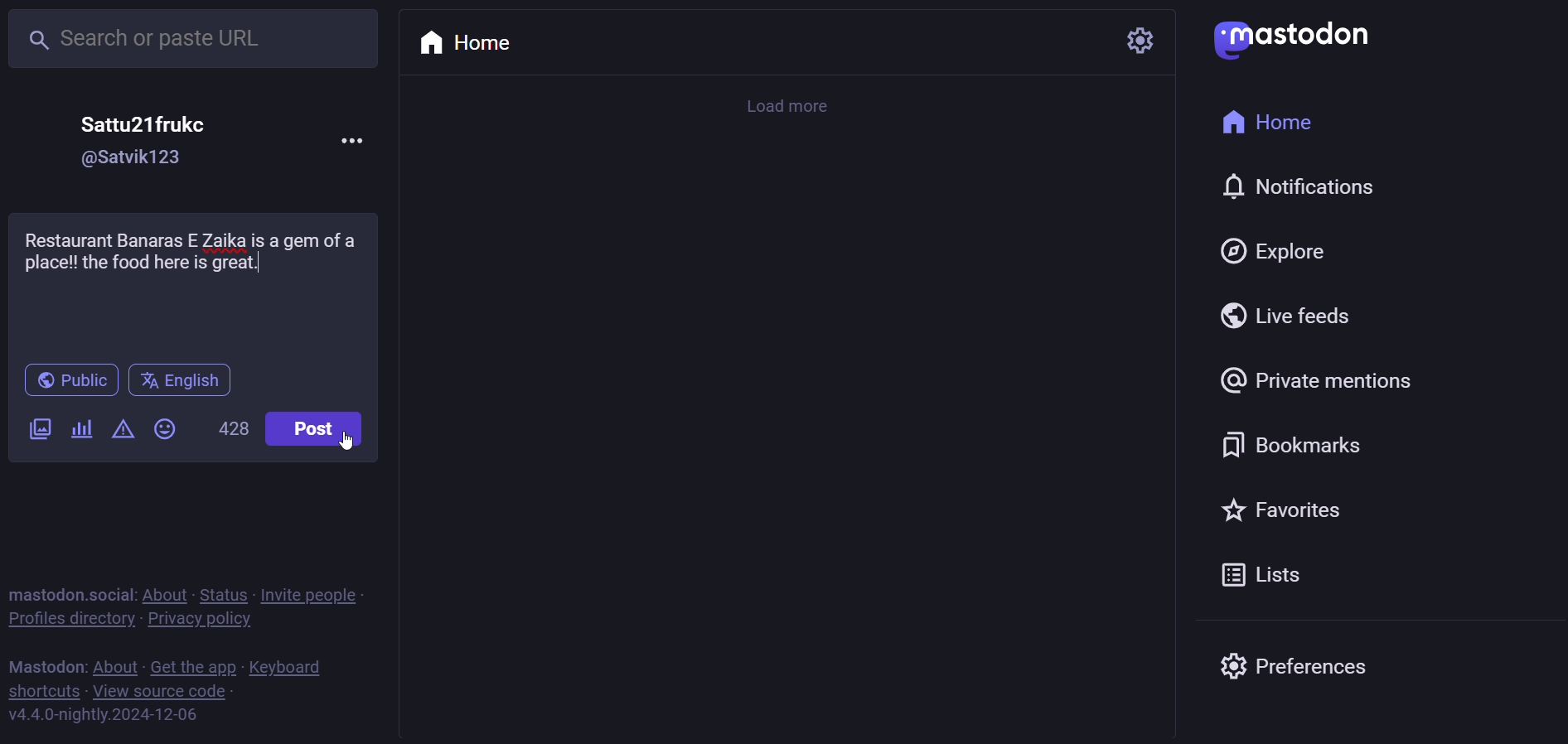  What do you see at coordinates (197, 621) in the screenshot?
I see `privacy policy` at bounding box center [197, 621].